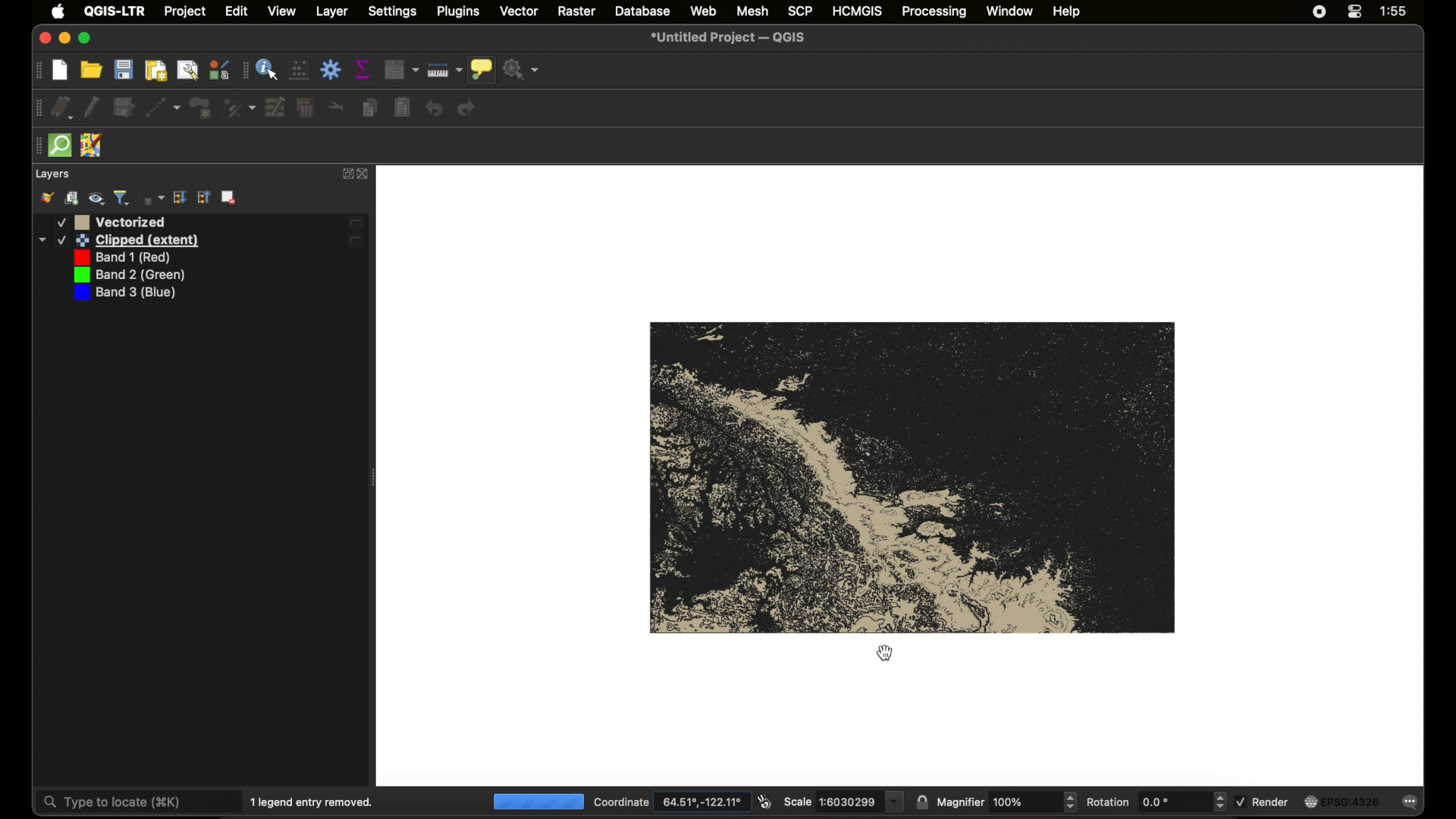 This screenshot has height=819, width=1456. I want to click on 1 legend entry removed, so click(315, 802).